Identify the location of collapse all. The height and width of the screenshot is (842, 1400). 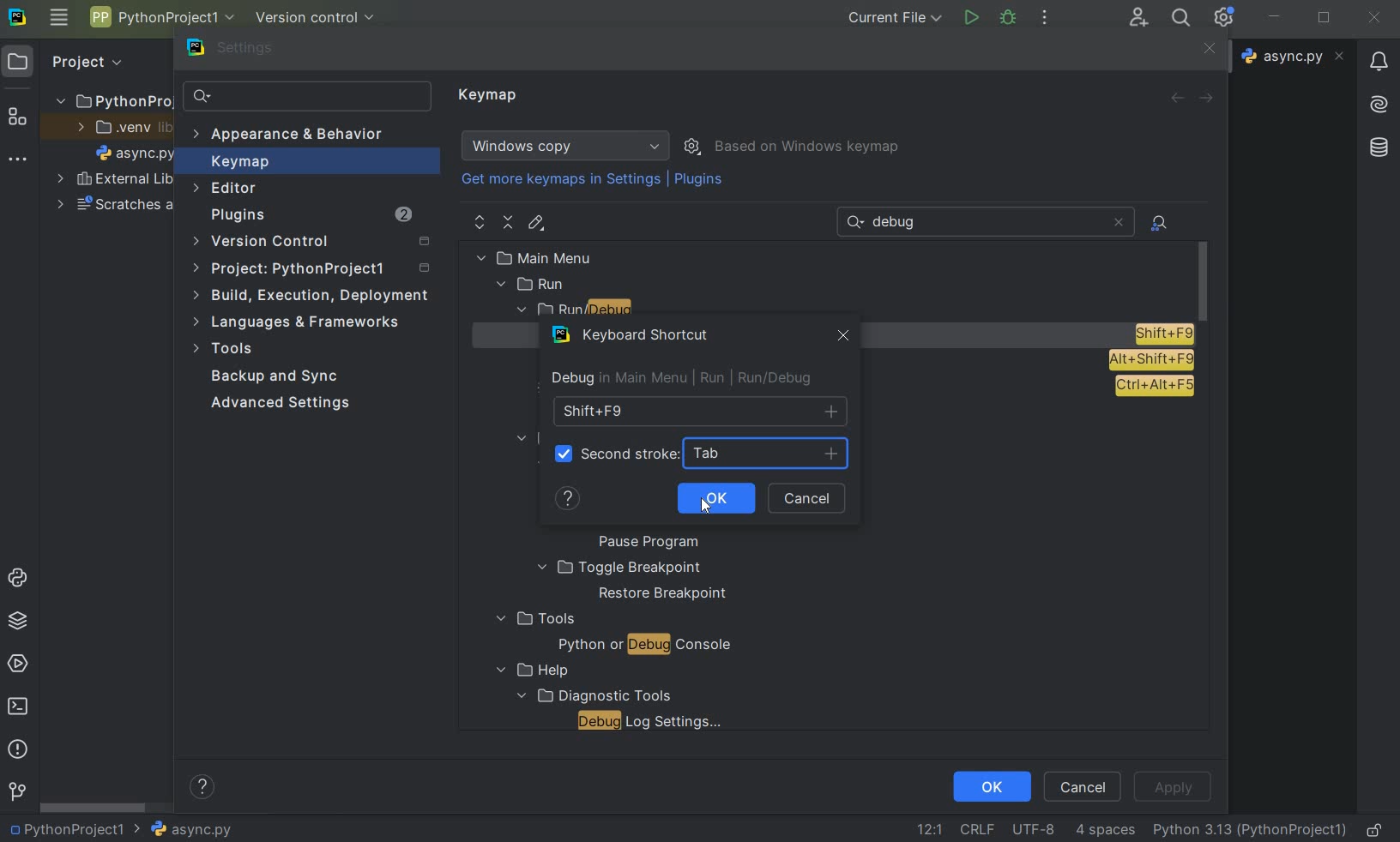
(509, 223).